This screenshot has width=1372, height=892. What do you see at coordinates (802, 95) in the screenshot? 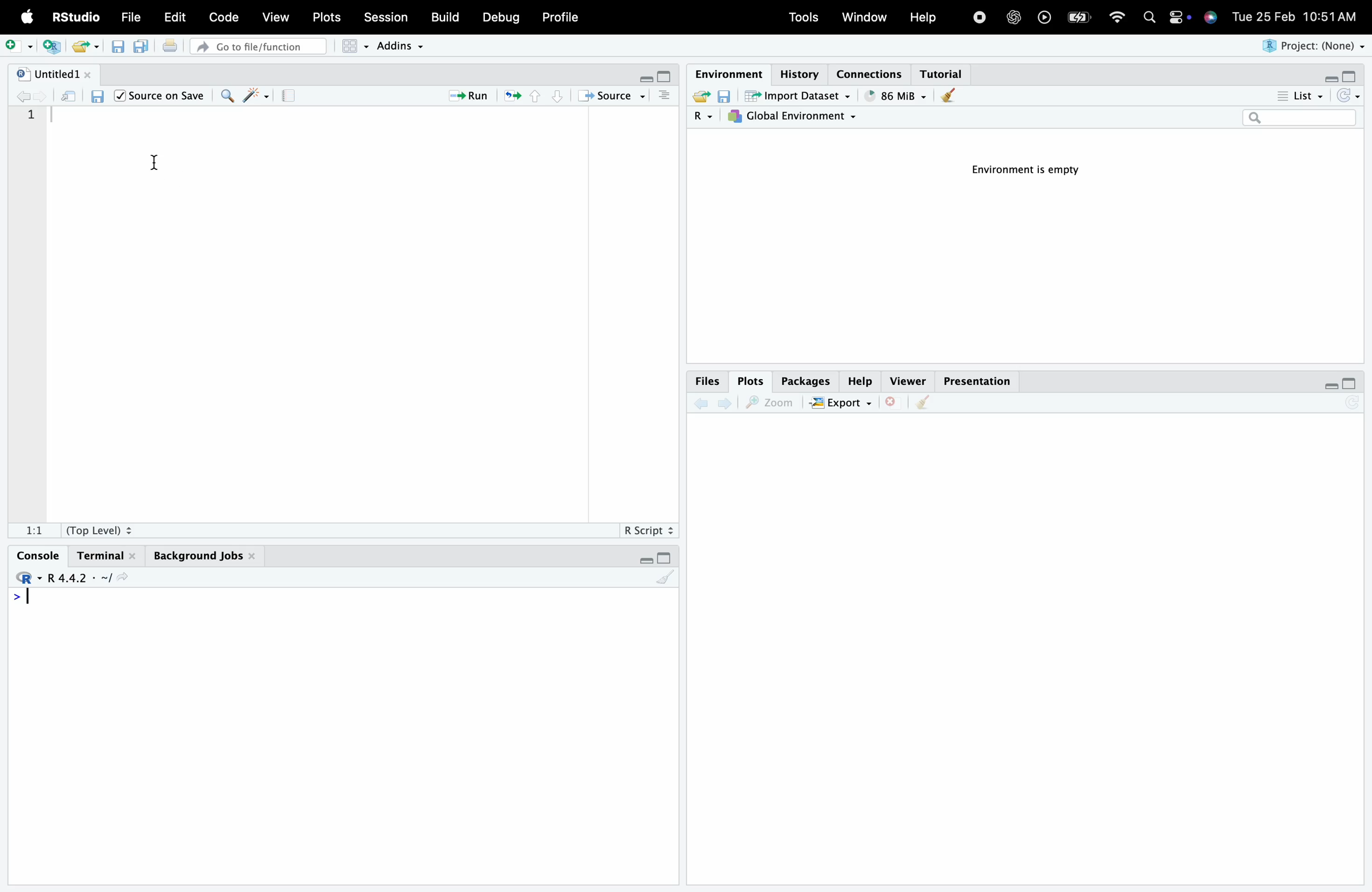
I see `import dataset ~ .` at bounding box center [802, 95].